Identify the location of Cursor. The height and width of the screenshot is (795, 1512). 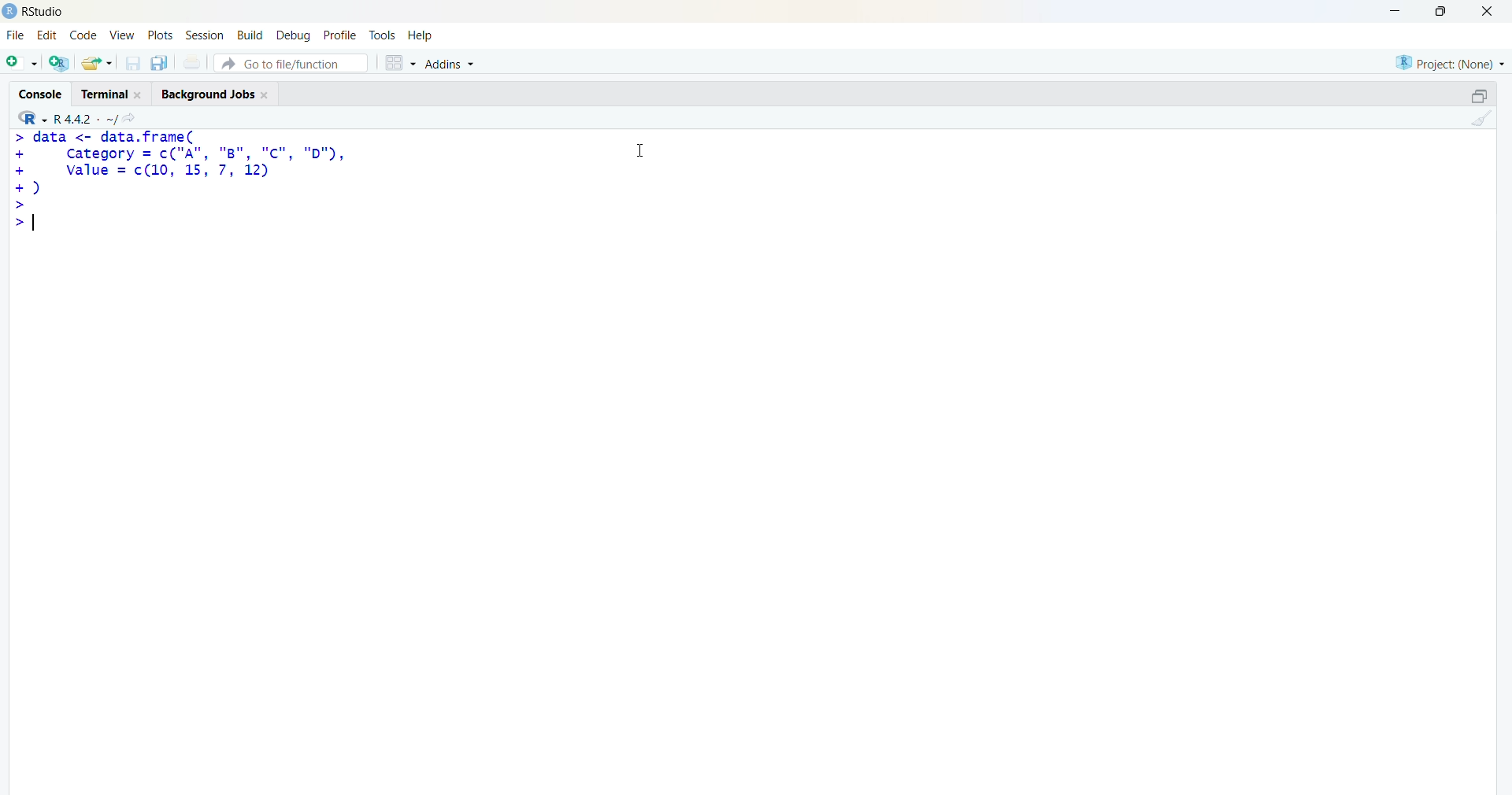
(641, 148).